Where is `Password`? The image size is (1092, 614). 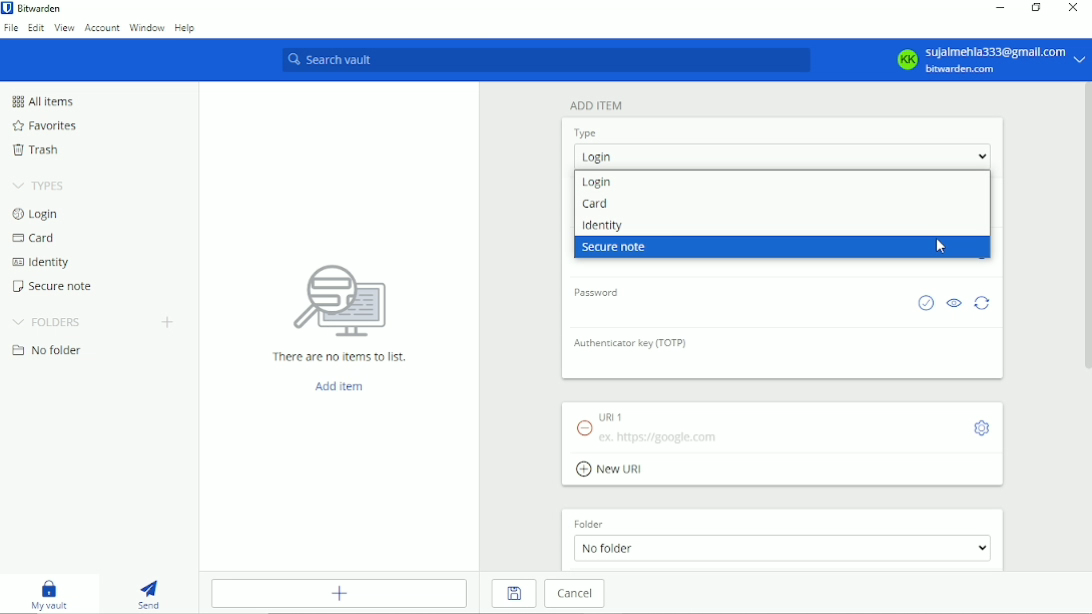
Password is located at coordinates (598, 292).